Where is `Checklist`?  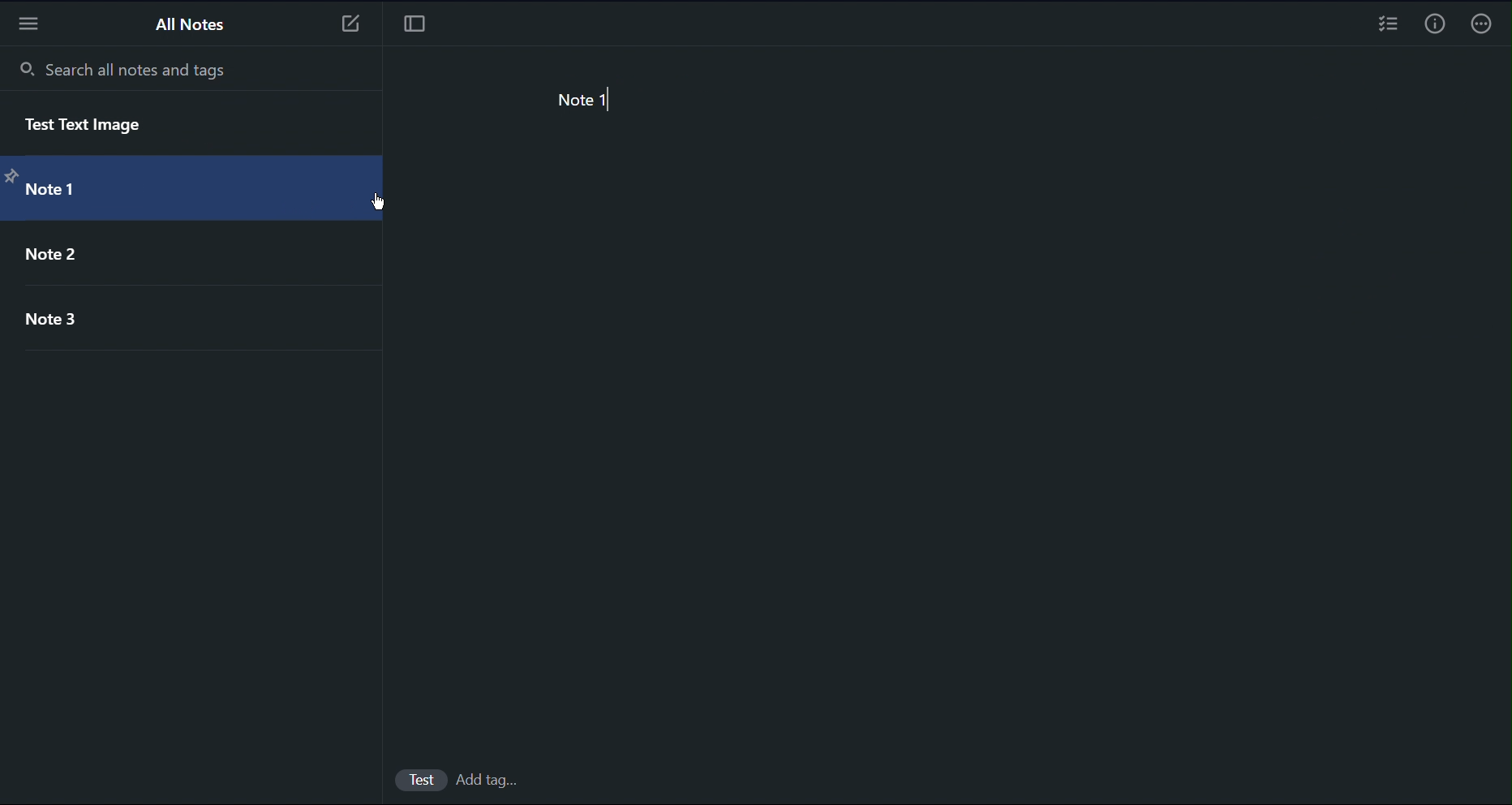
Checklist is located at coordinates (1388, 27).